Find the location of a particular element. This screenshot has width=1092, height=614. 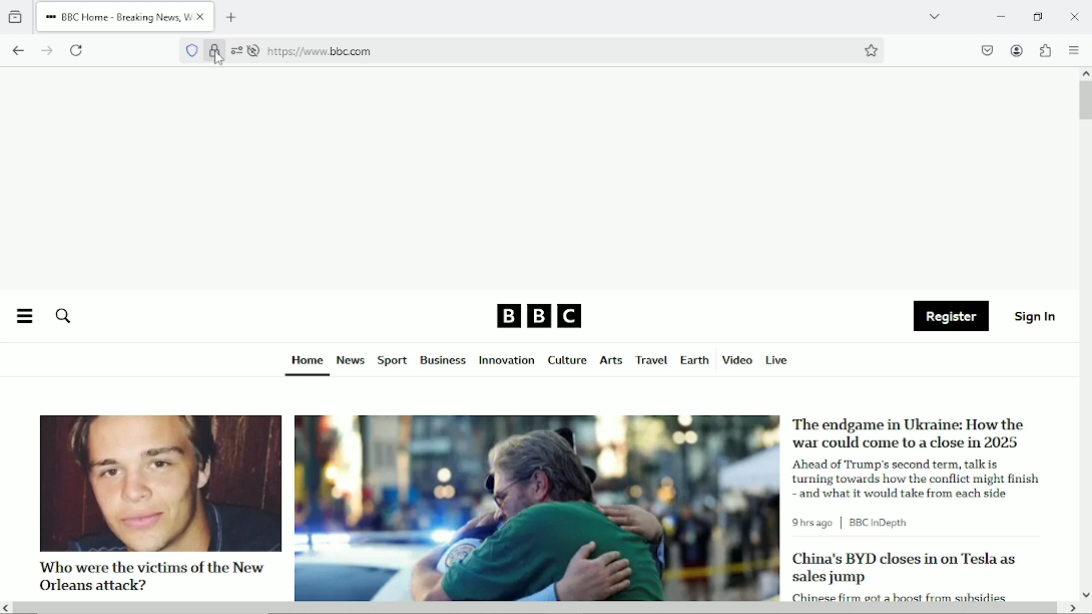

Accounts is located at coordinates (1015, 48).